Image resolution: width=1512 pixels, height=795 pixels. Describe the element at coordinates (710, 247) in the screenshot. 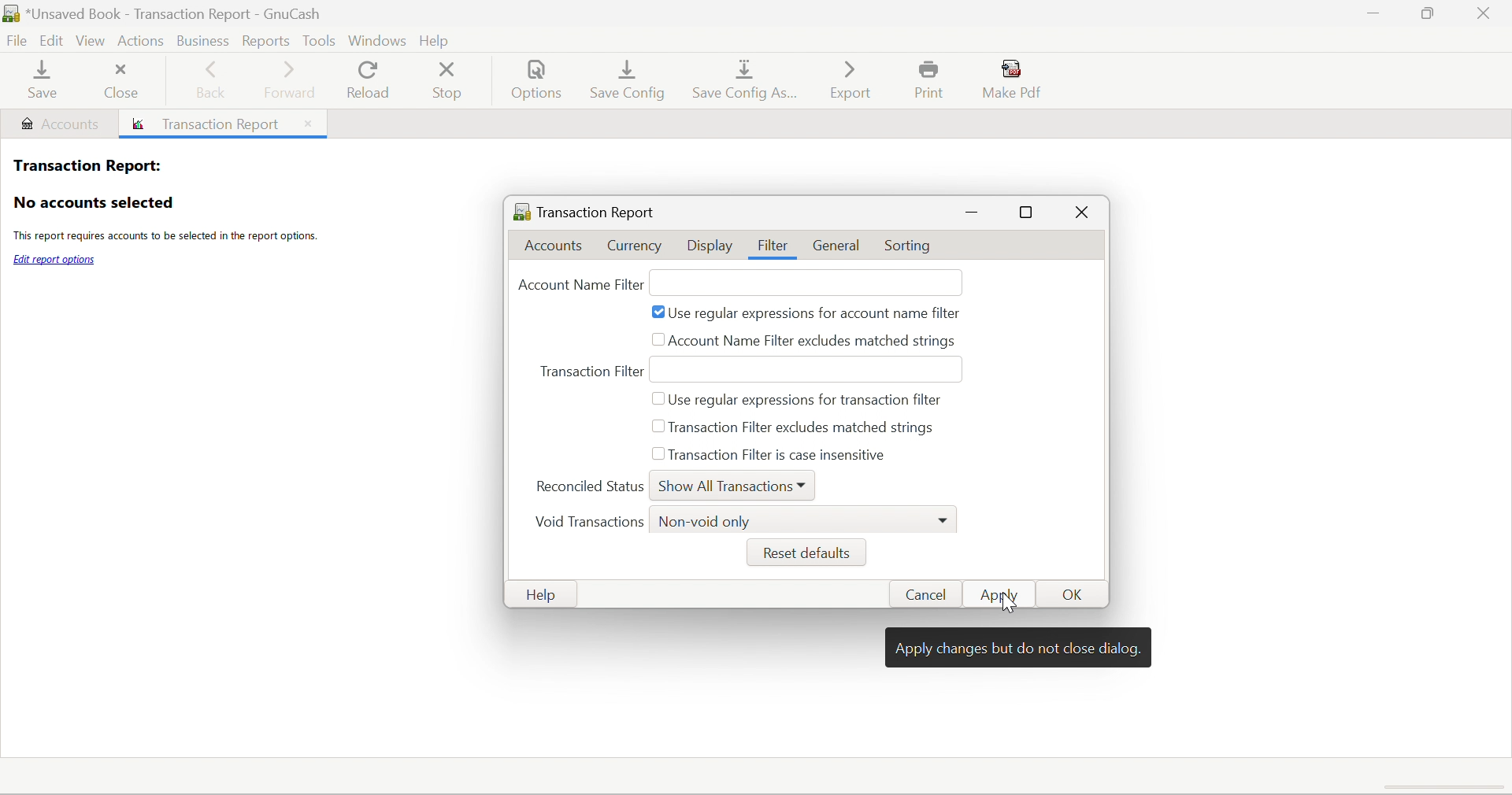

I see `Display` at that location.